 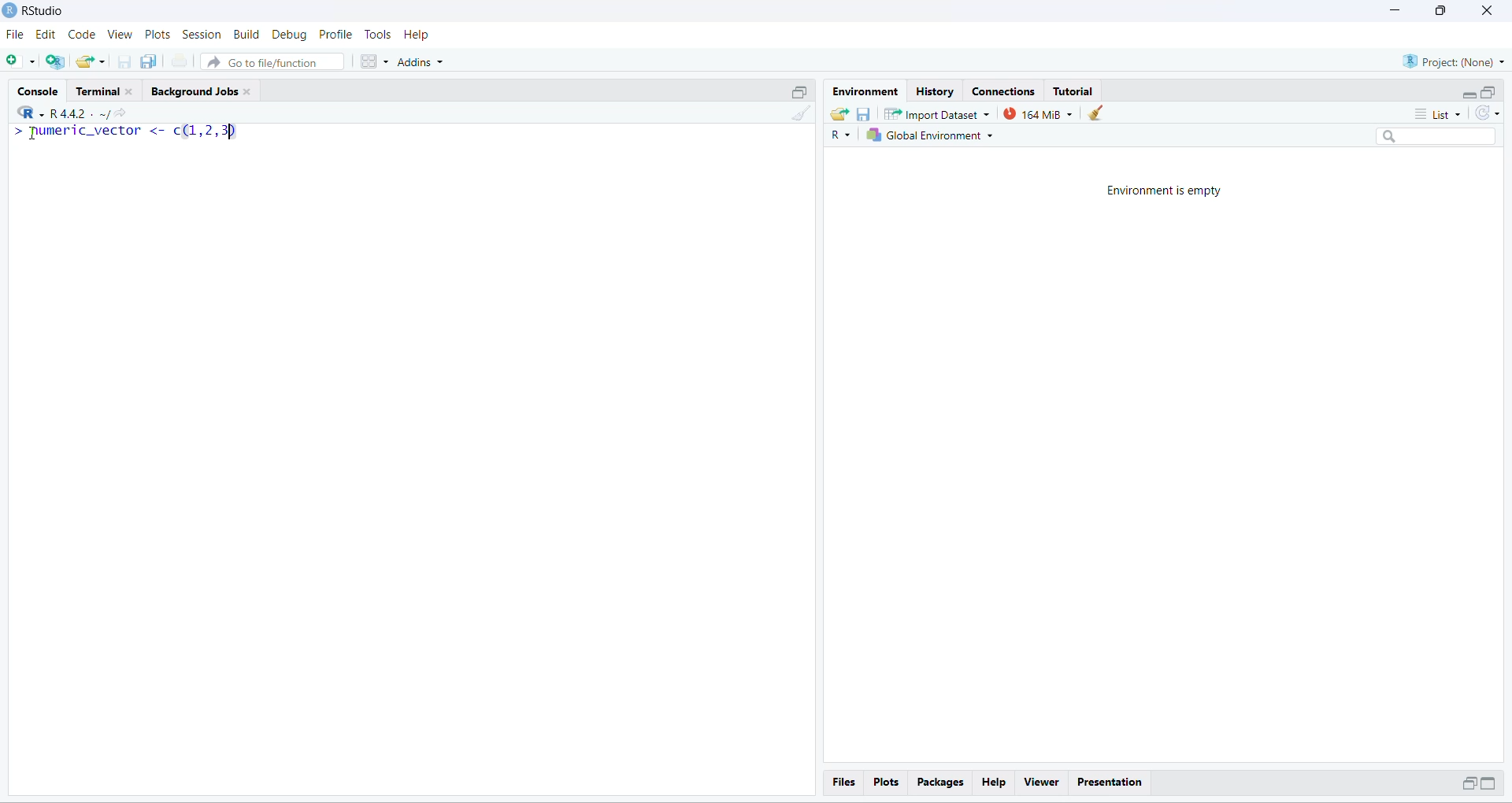 I want to click on print, so click(x=180, y=61).